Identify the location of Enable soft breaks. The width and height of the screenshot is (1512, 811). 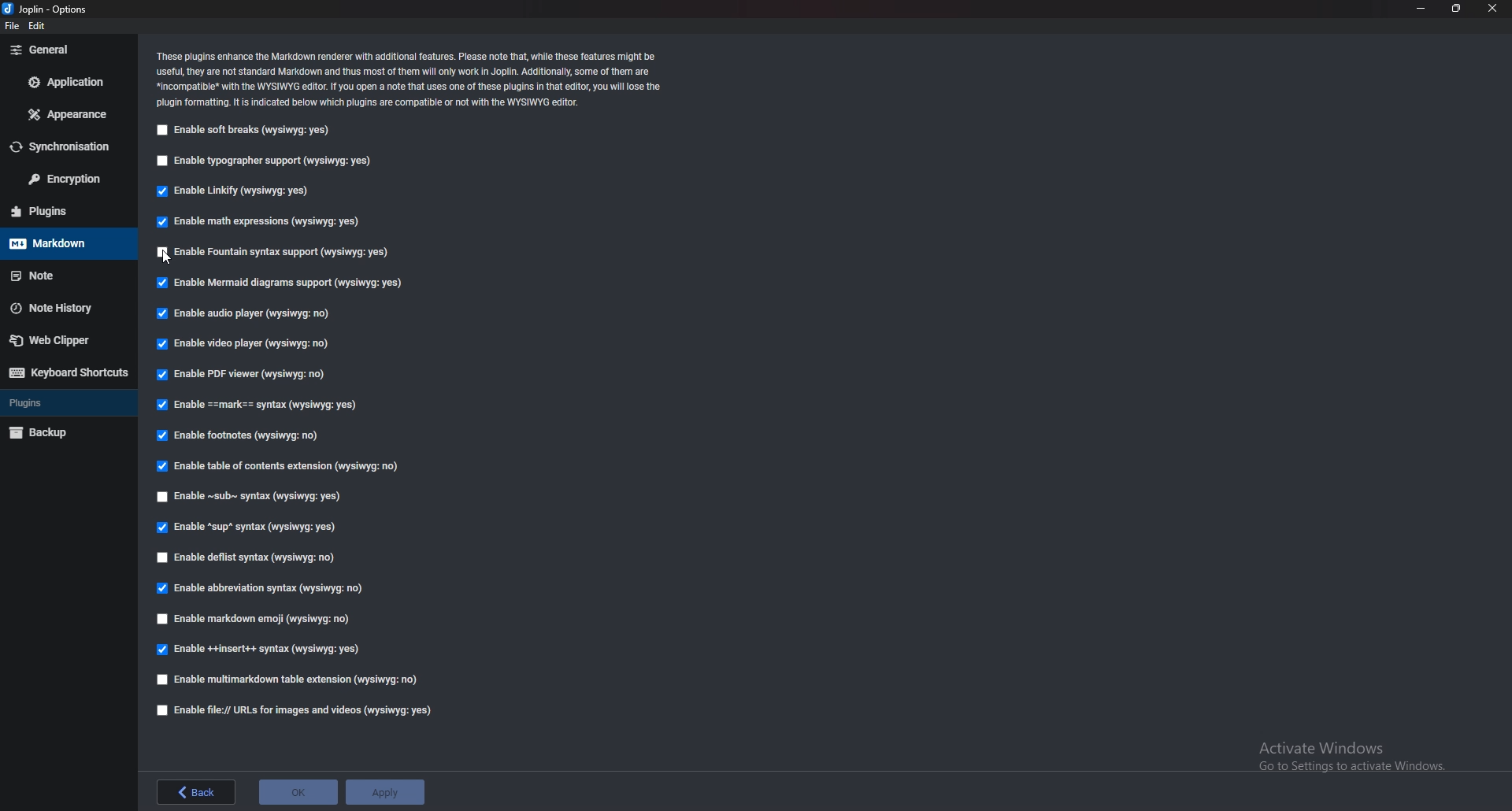
(247, 131).